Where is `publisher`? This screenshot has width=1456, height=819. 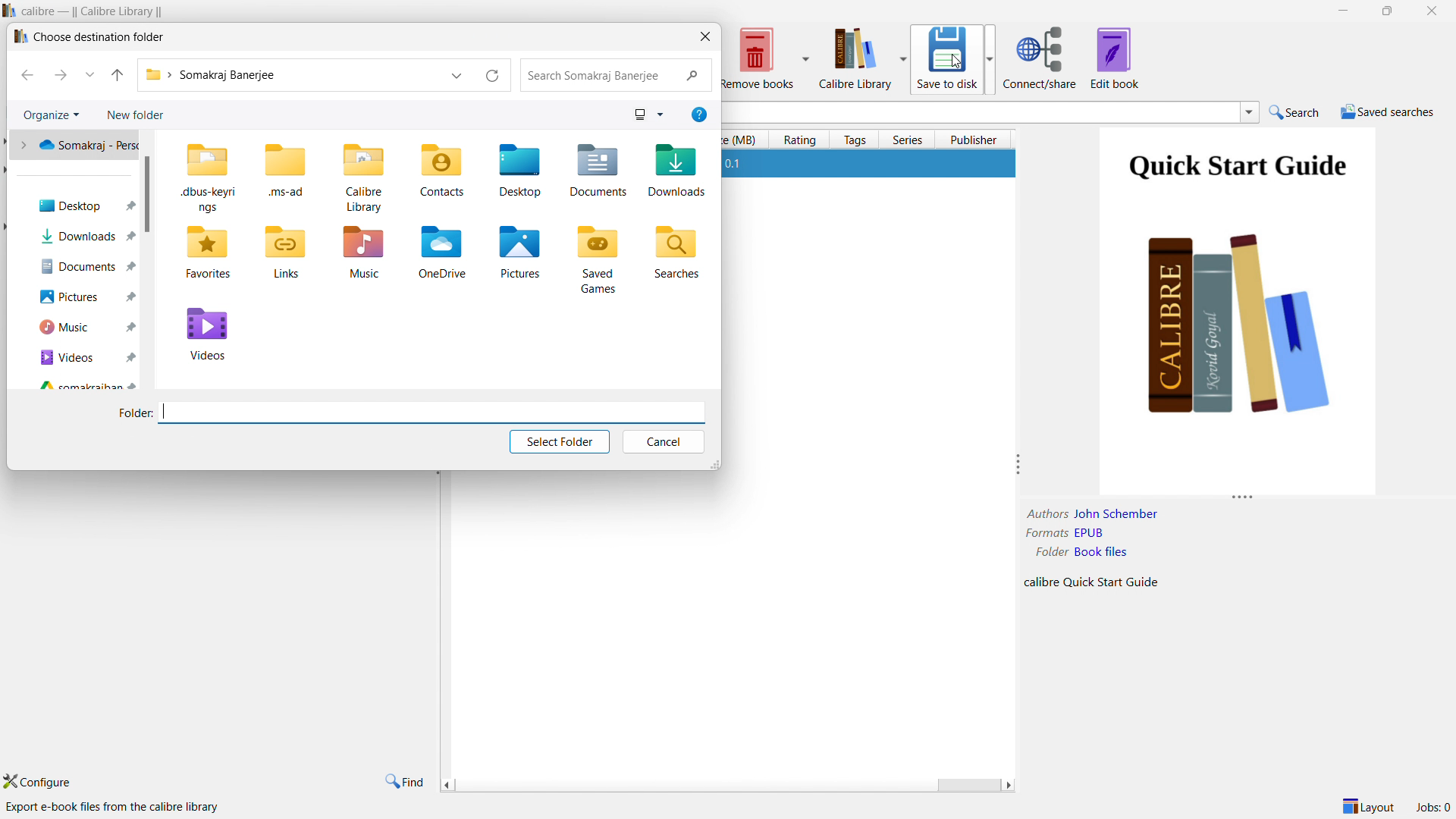
publisher is located at coordinates (976, 138).